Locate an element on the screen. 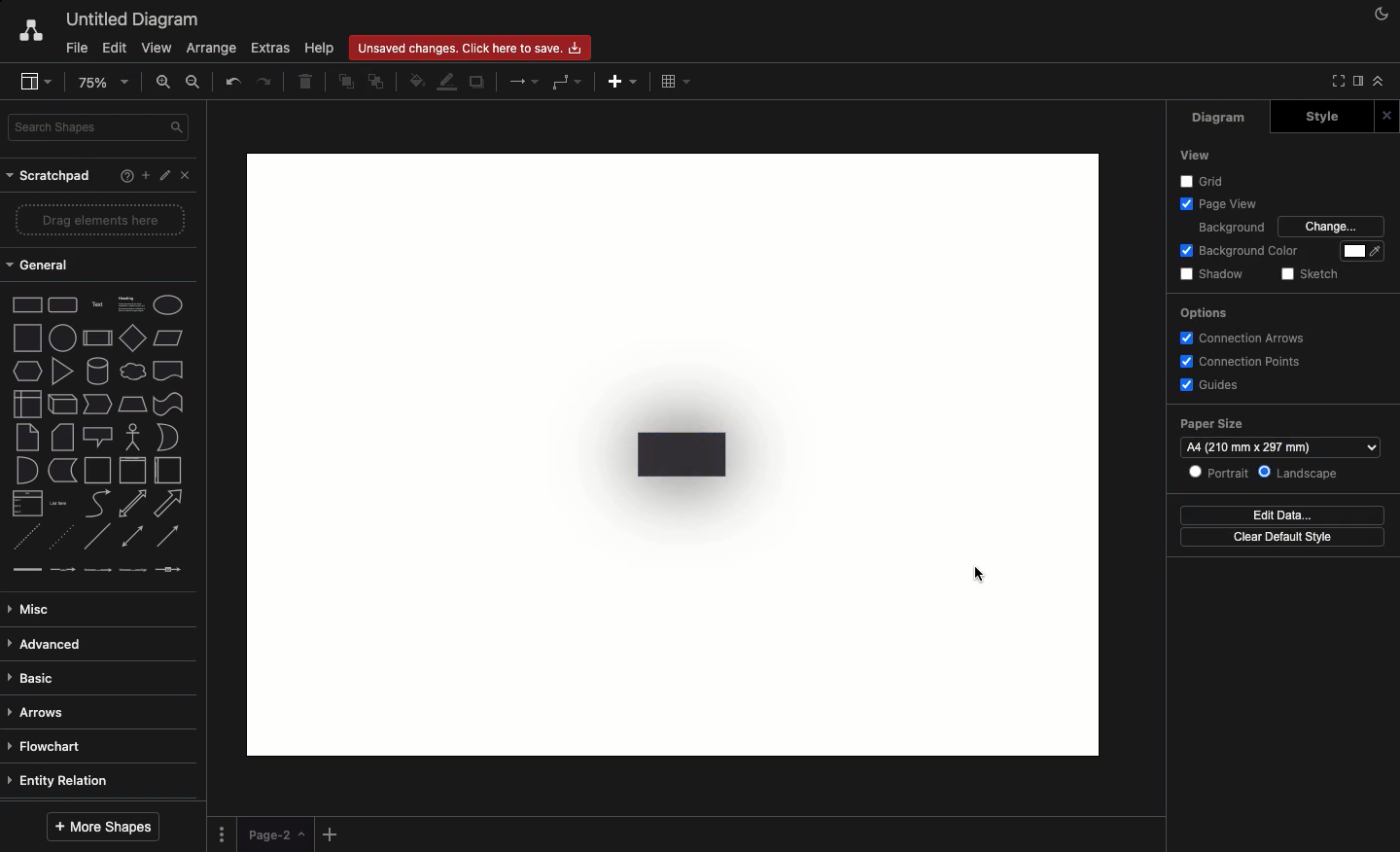 Image resolution: width=1400 pixels, height=852 pixels. triangle is located at coordinates (61, 370).